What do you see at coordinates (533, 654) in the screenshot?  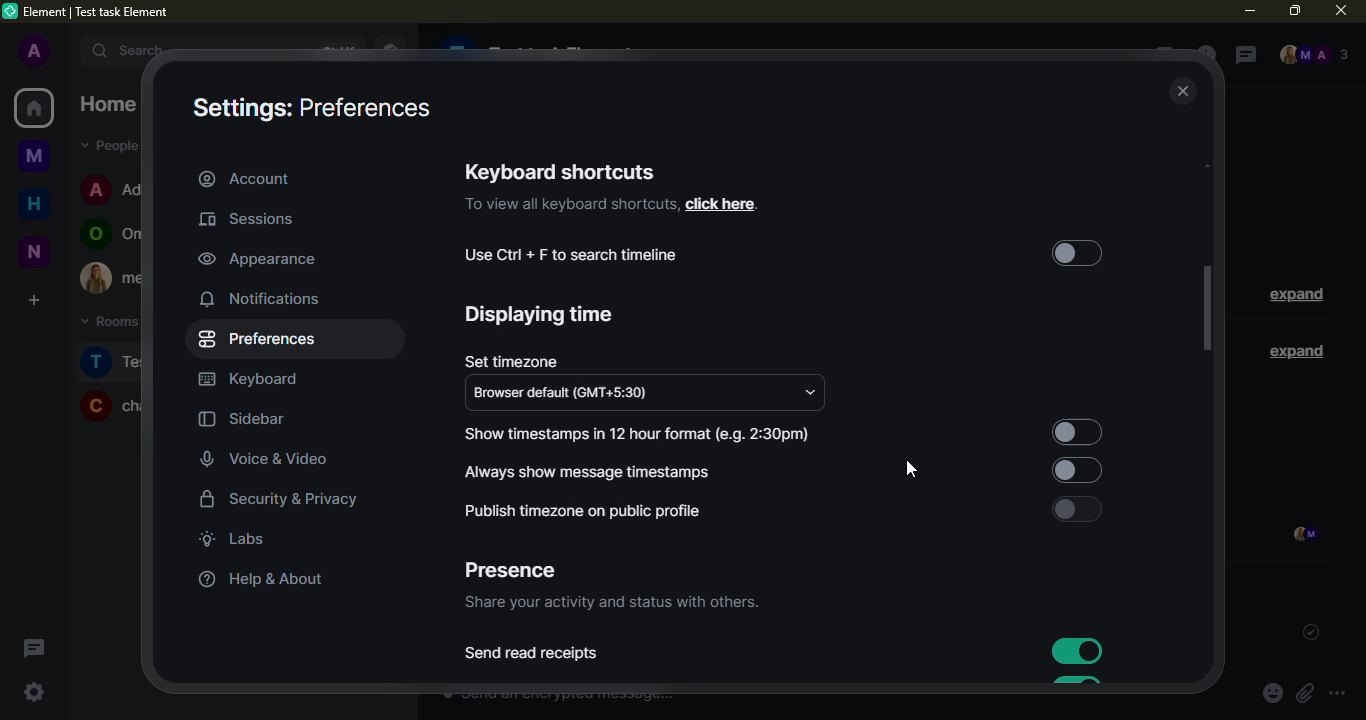 I see `send read receipts` at bounding box center [533, 654].